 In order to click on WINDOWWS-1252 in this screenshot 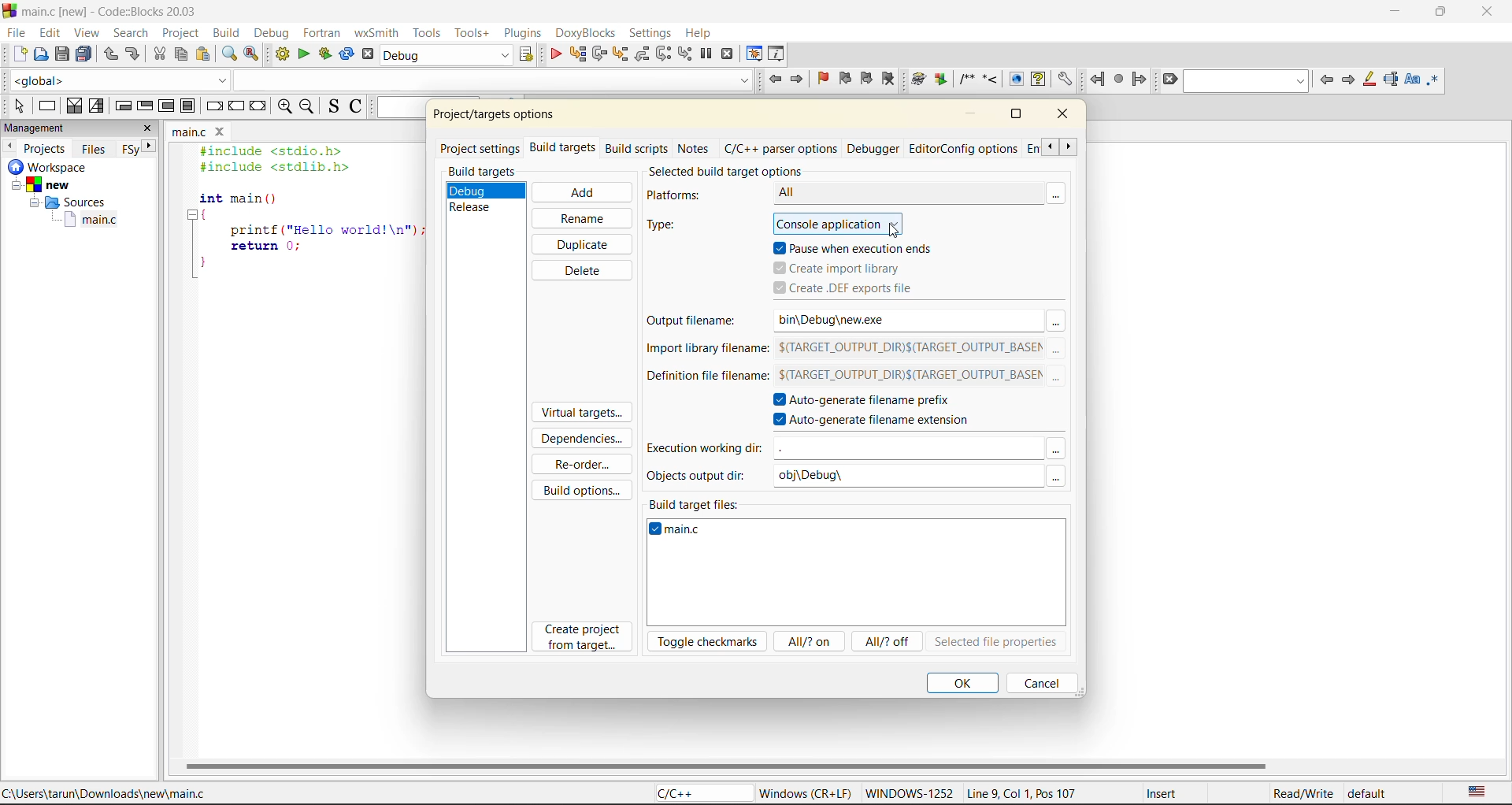, I will do `click(912, 792)`.